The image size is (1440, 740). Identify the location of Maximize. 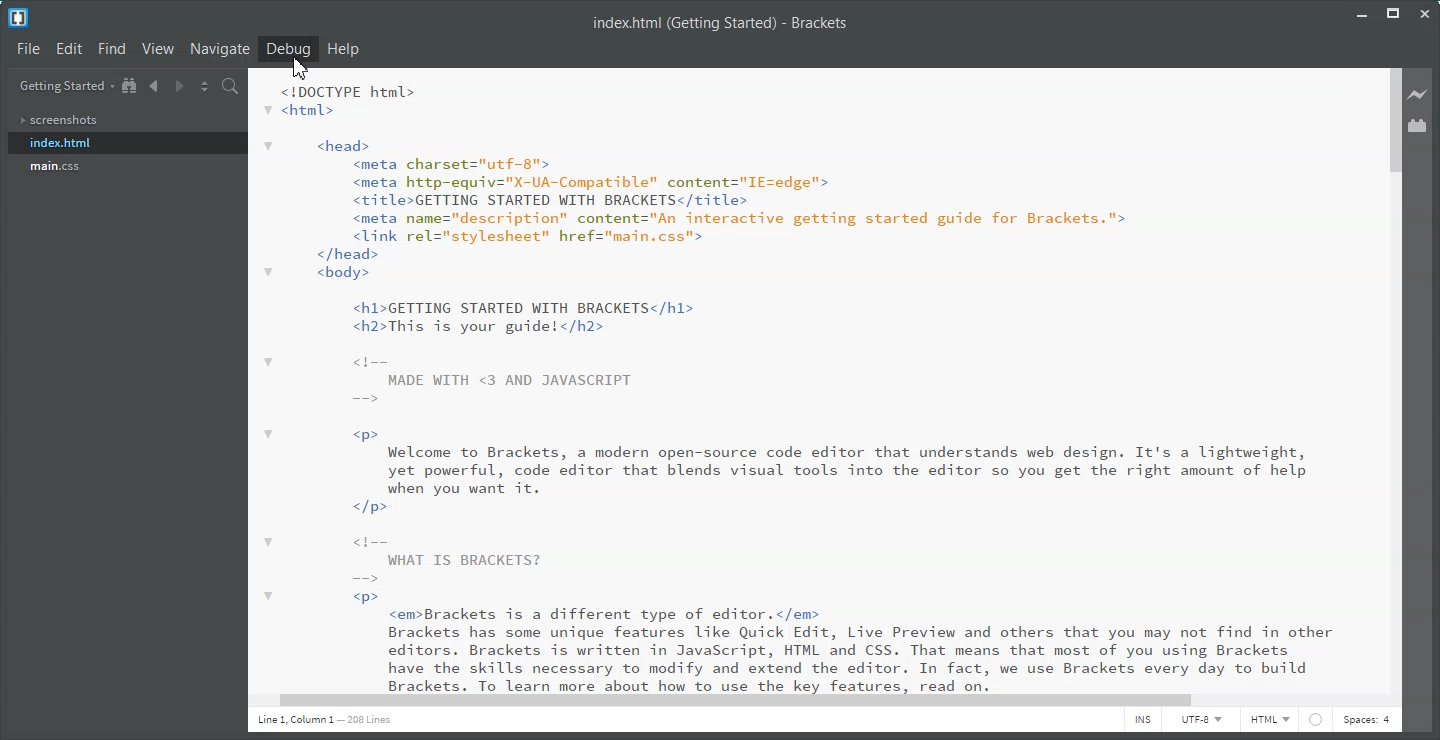
(1393, 13).